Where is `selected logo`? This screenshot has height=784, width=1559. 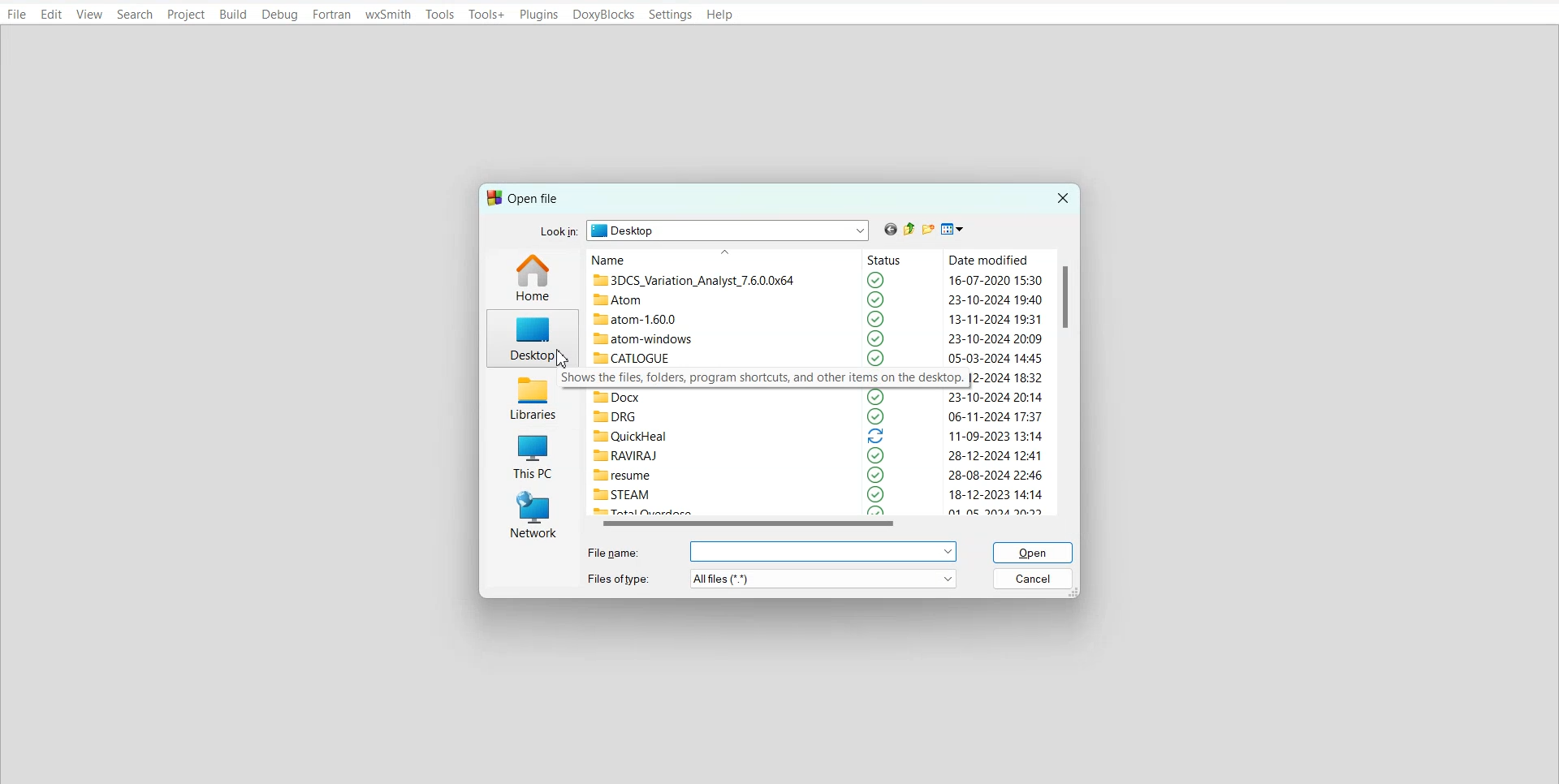
selected logo is located at coordinates (875, 299).